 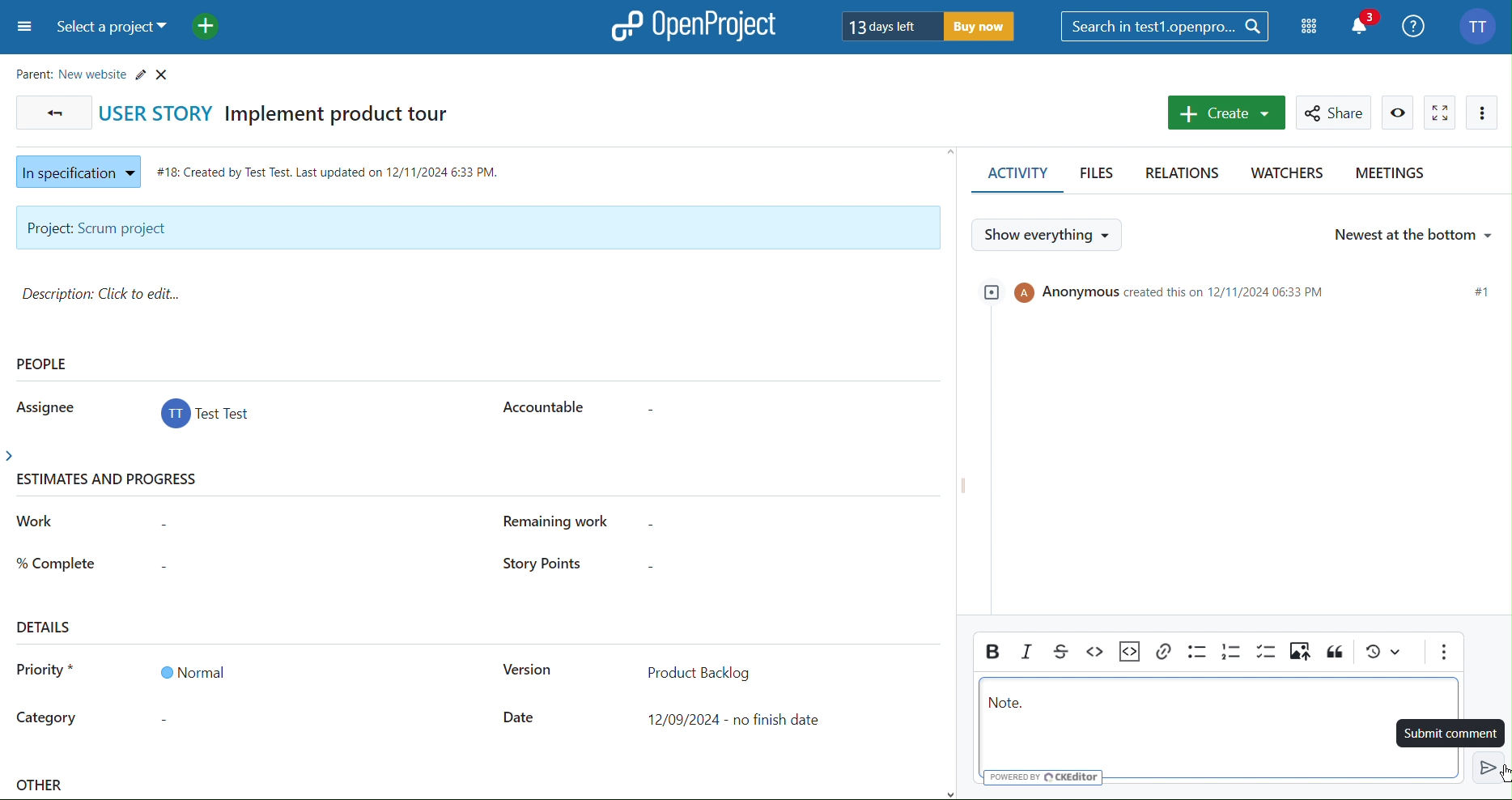 I want to click on People, so click(x=44, y=364).